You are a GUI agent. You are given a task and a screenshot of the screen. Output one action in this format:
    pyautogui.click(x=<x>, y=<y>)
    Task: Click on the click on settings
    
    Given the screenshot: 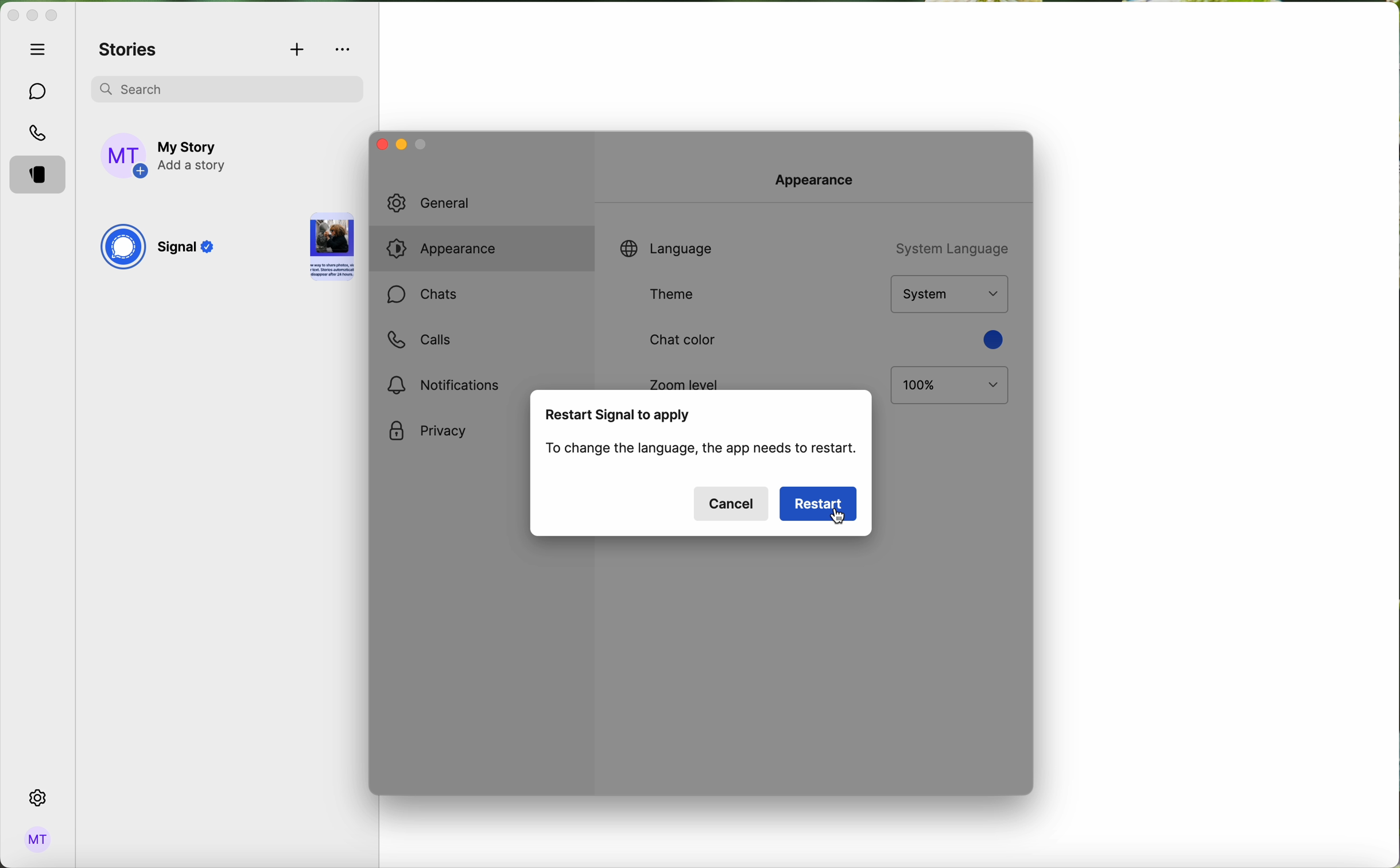 What is the action you would take?
    pyautogui.click(x=38, y=799)
    